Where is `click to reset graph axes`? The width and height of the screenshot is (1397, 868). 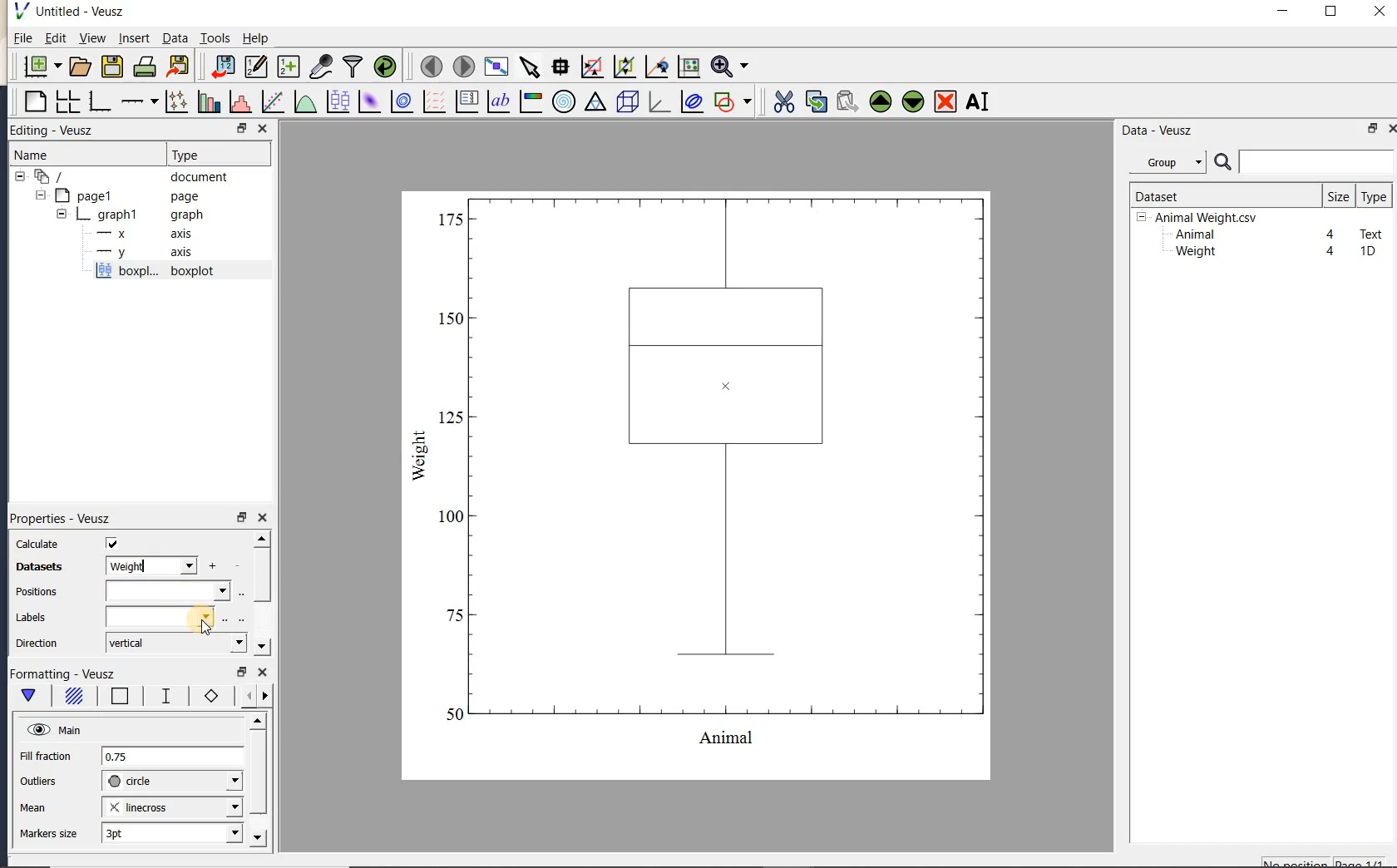
click to reset graph axes is located at coordinates (689, 67).